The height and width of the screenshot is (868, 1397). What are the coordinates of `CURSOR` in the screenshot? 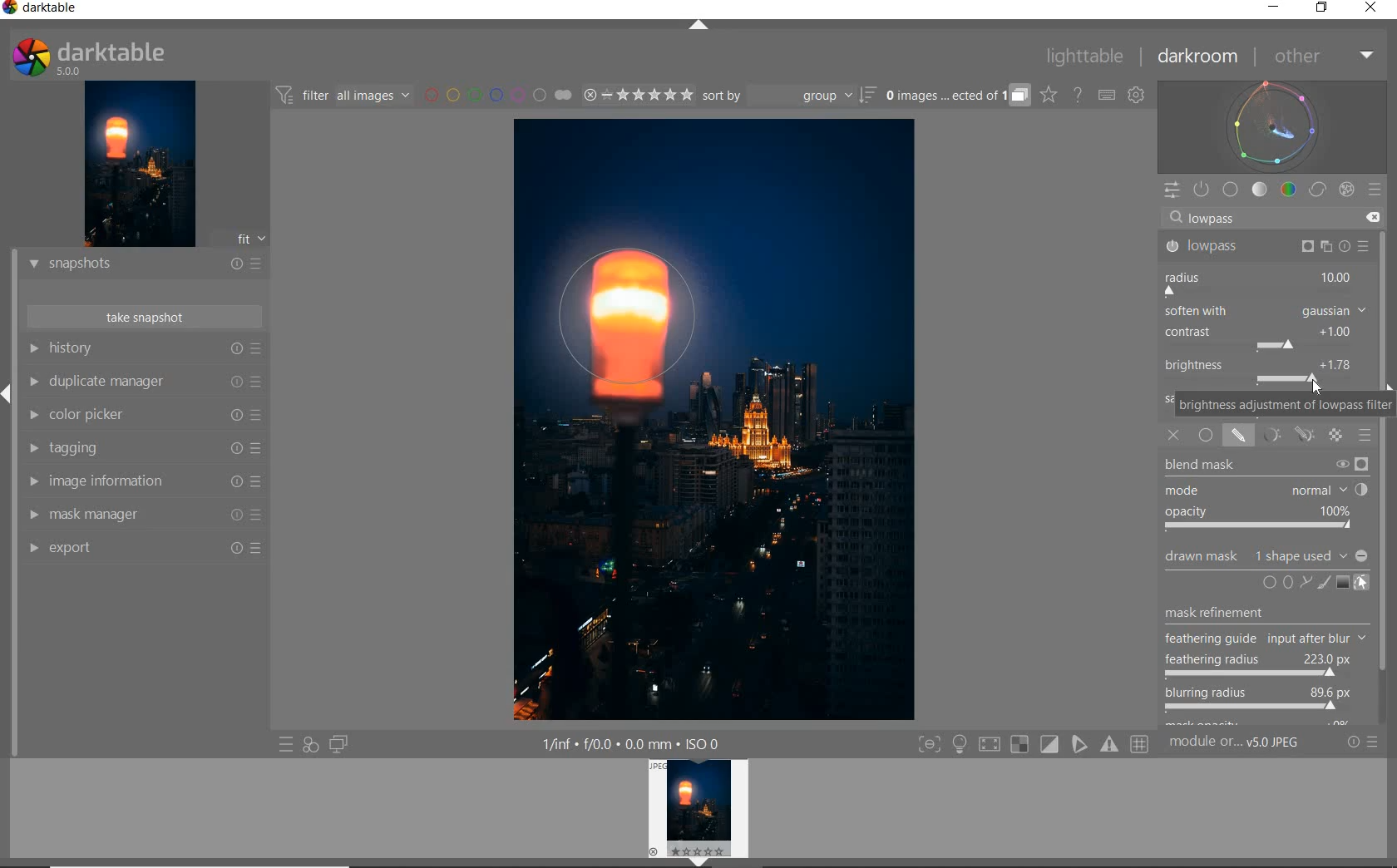 It's located at (1336, 716).